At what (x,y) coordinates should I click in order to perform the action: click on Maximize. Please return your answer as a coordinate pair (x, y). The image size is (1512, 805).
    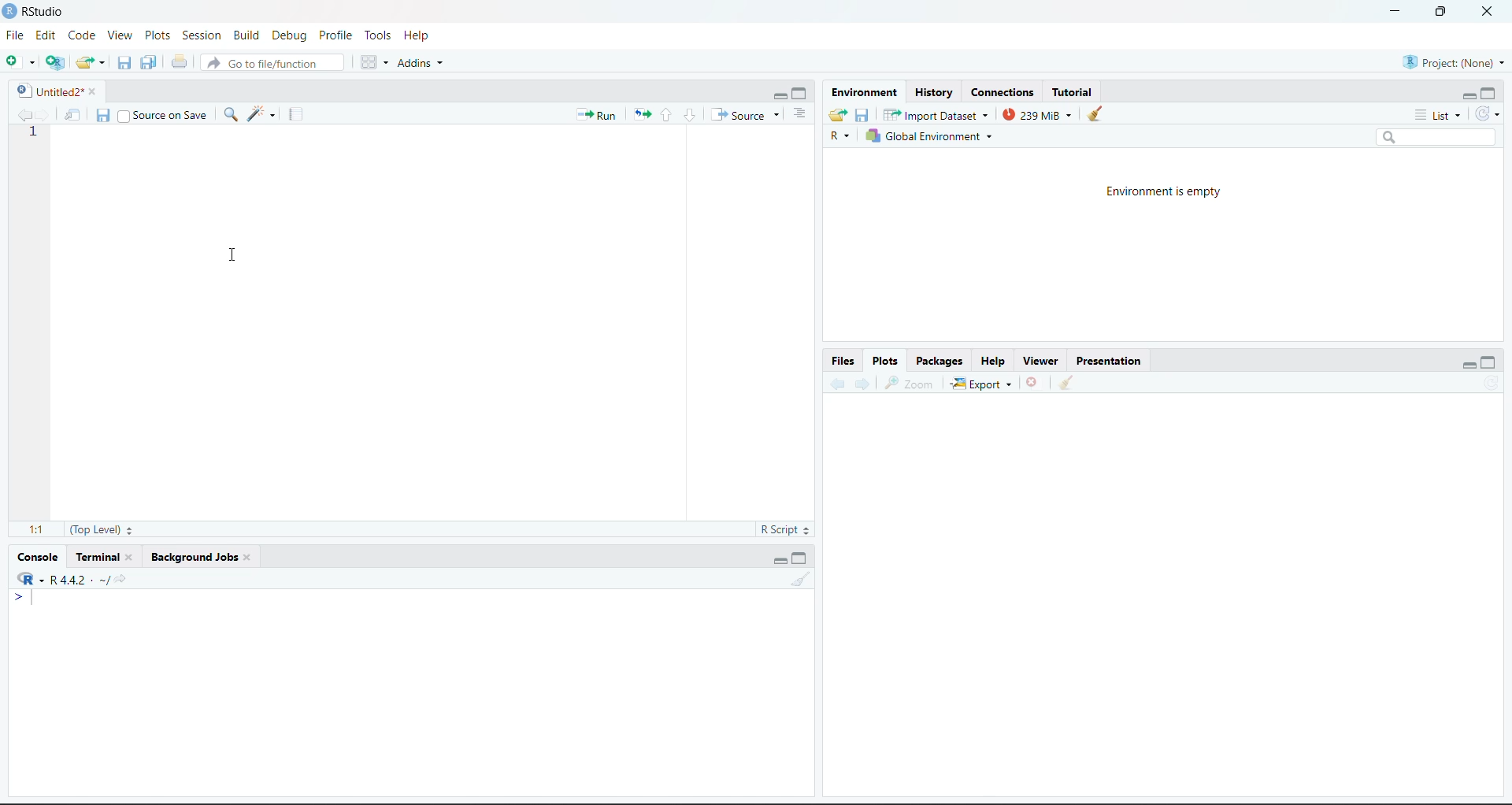
    Looking at the image, I should click on (1491, 92).